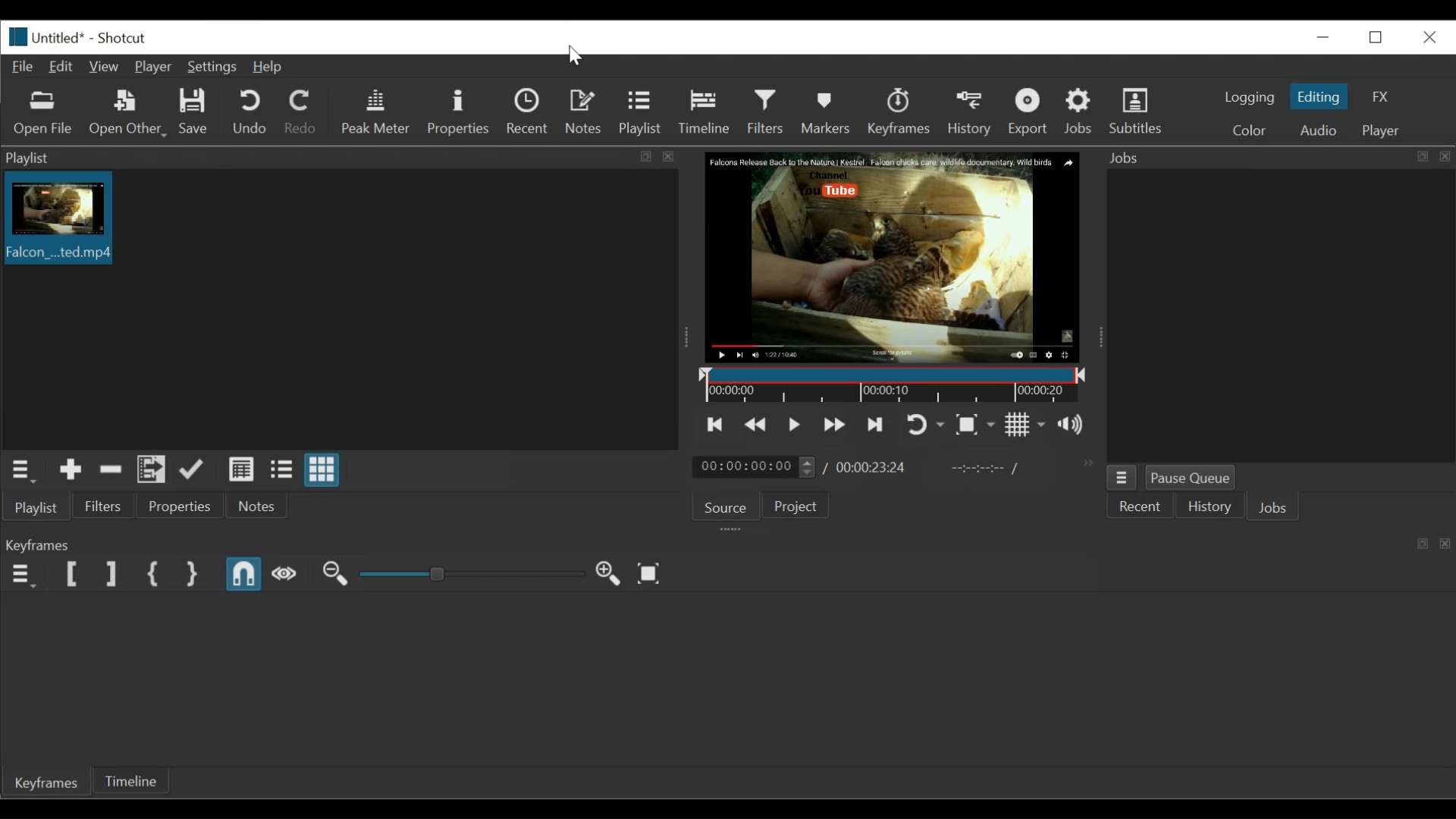 The image size is (1456, 819). What do you see at coordinates (1121, 477) in the screenshot?
I see `Jobs menu` at bounding box center [1121, 477].